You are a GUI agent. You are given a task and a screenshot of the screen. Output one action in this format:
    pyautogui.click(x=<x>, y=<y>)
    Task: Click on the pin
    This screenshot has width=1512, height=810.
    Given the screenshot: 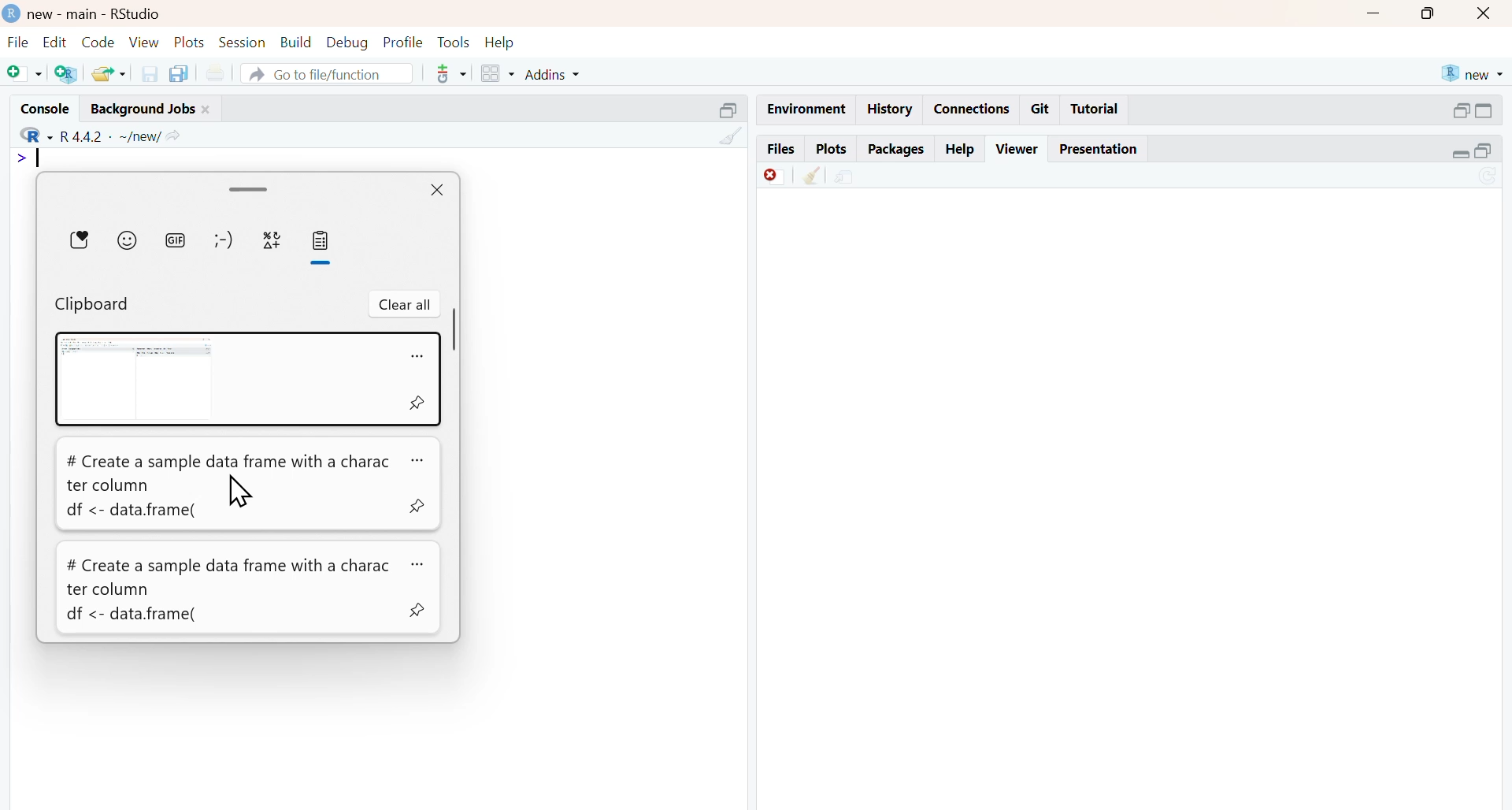 What is the action you would take?
    pyautogui.click(x=416, y=508)
    